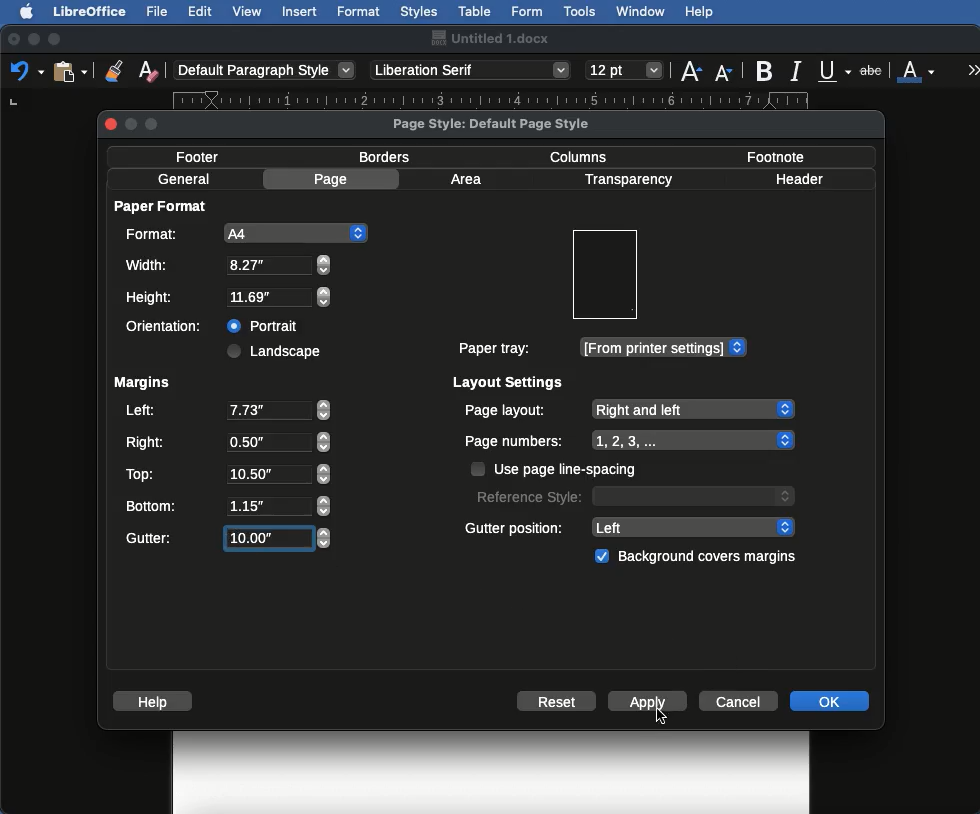  What do you see at coordinates (266, 70) in the screenshot?
I see `Paragraph style` at bounding box center [266, 70].